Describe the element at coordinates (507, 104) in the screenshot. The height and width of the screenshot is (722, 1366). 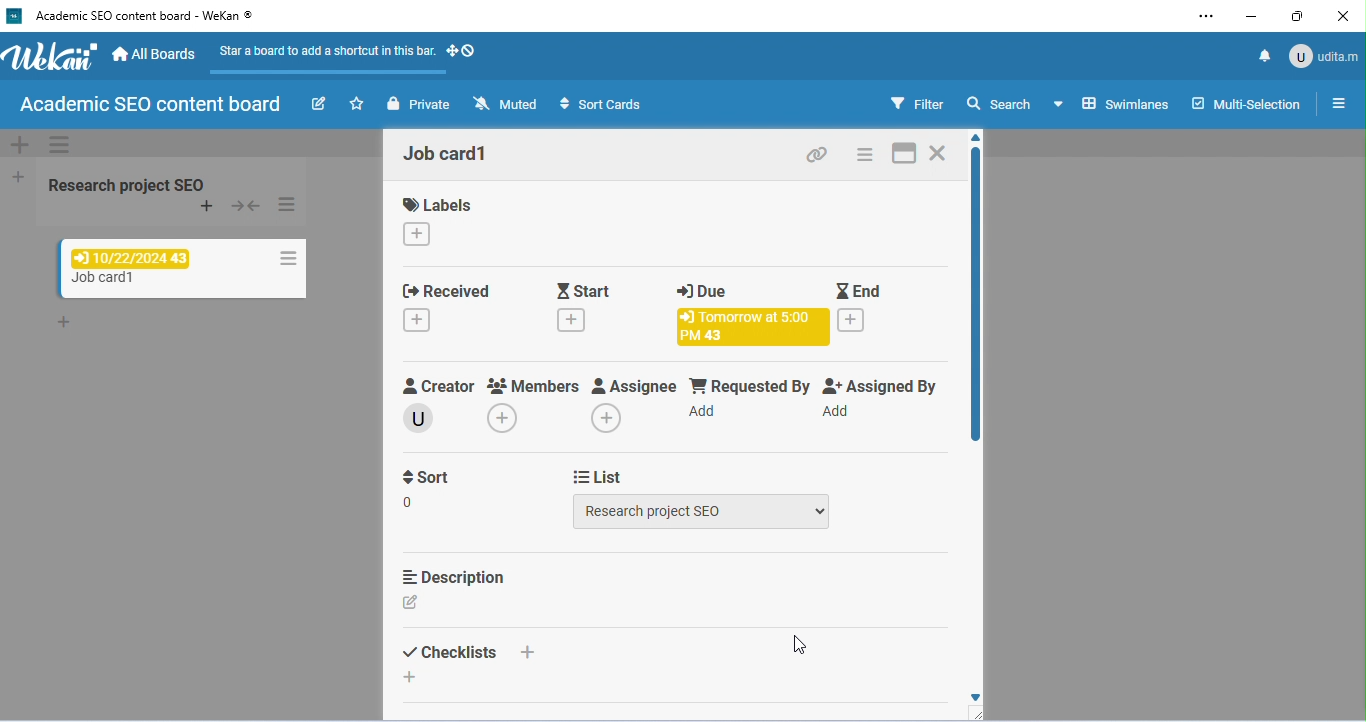
I see `muted` at that location.